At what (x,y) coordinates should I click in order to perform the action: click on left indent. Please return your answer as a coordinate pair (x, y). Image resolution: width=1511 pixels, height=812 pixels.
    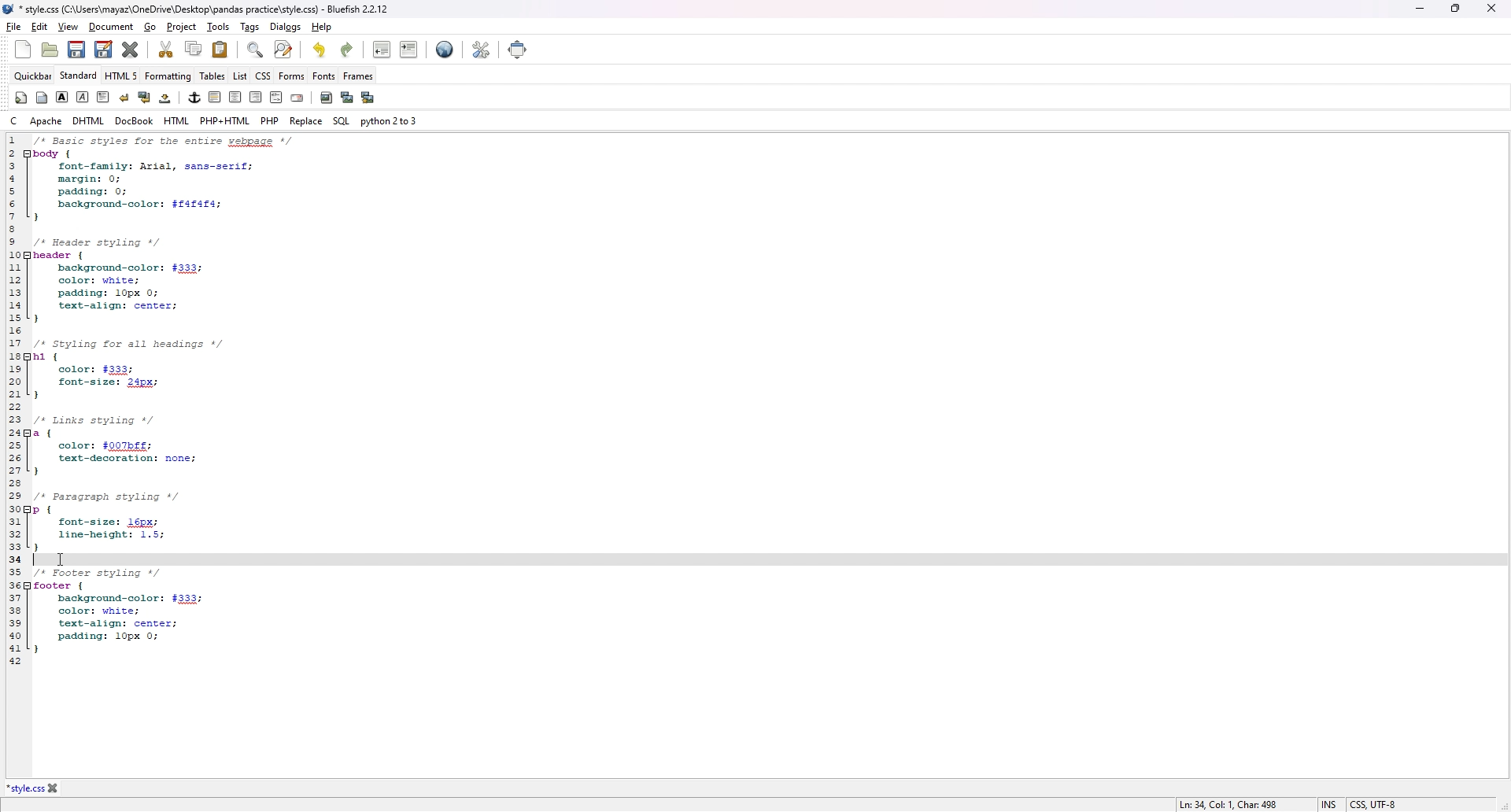
    Looking at the image, I should click on (256, 97).